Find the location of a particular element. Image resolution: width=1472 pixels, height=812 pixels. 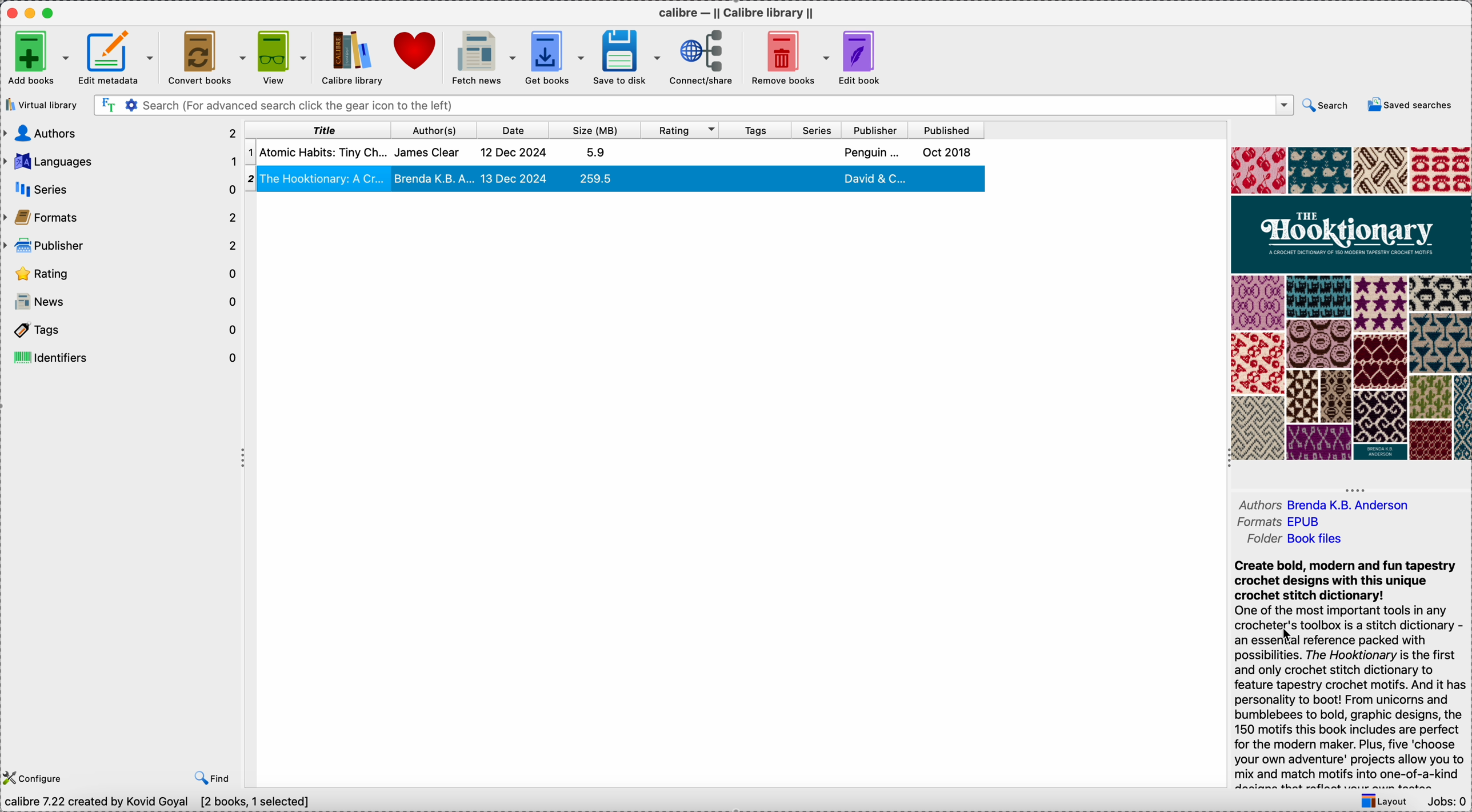

author(s) is located at coordinates (438, 131).